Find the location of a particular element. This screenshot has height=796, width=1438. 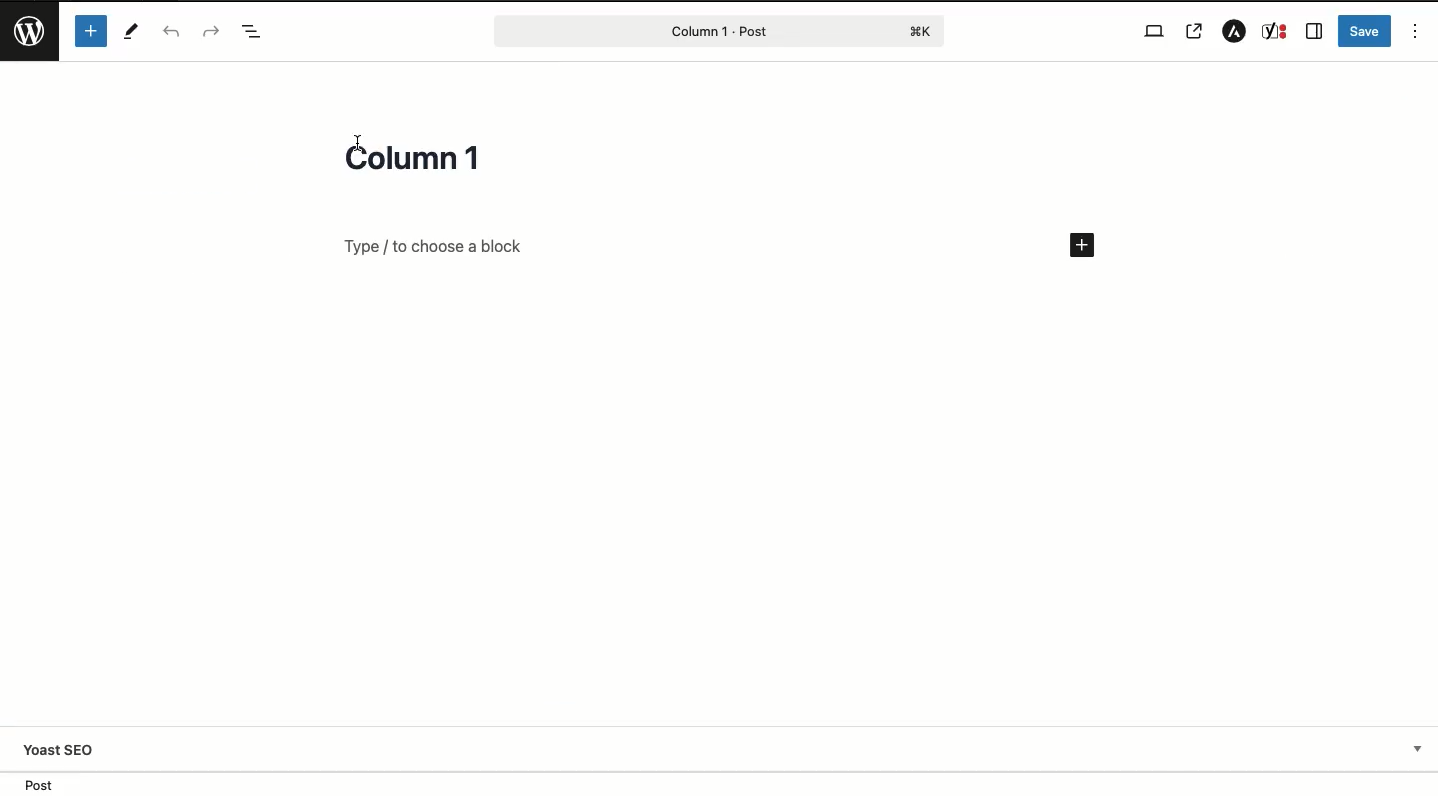

Yoast SEO is located at coordinates (729, 749).